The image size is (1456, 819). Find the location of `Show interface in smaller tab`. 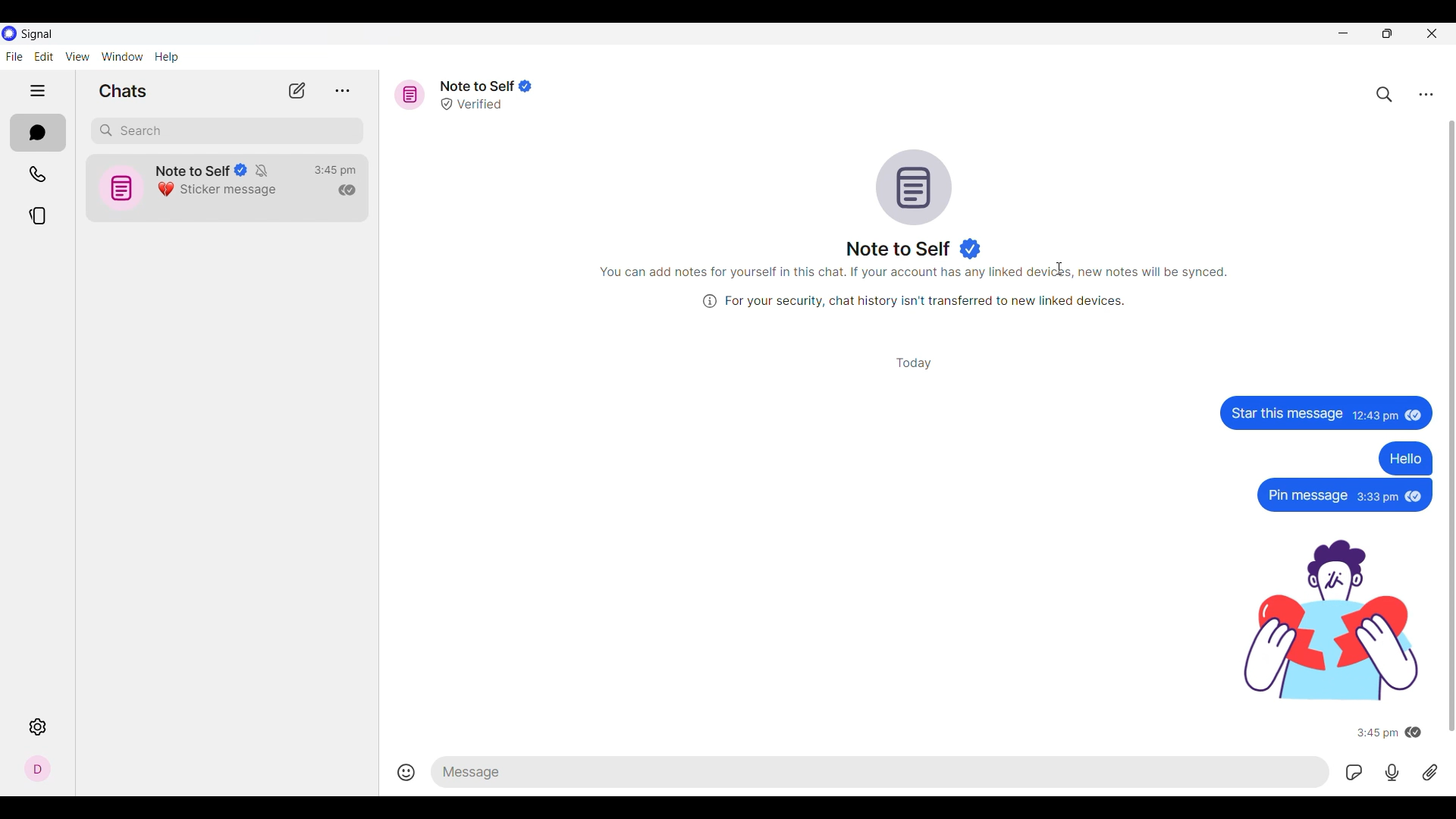

Show interface in smaller tab is located at coordinates (1390, 33).